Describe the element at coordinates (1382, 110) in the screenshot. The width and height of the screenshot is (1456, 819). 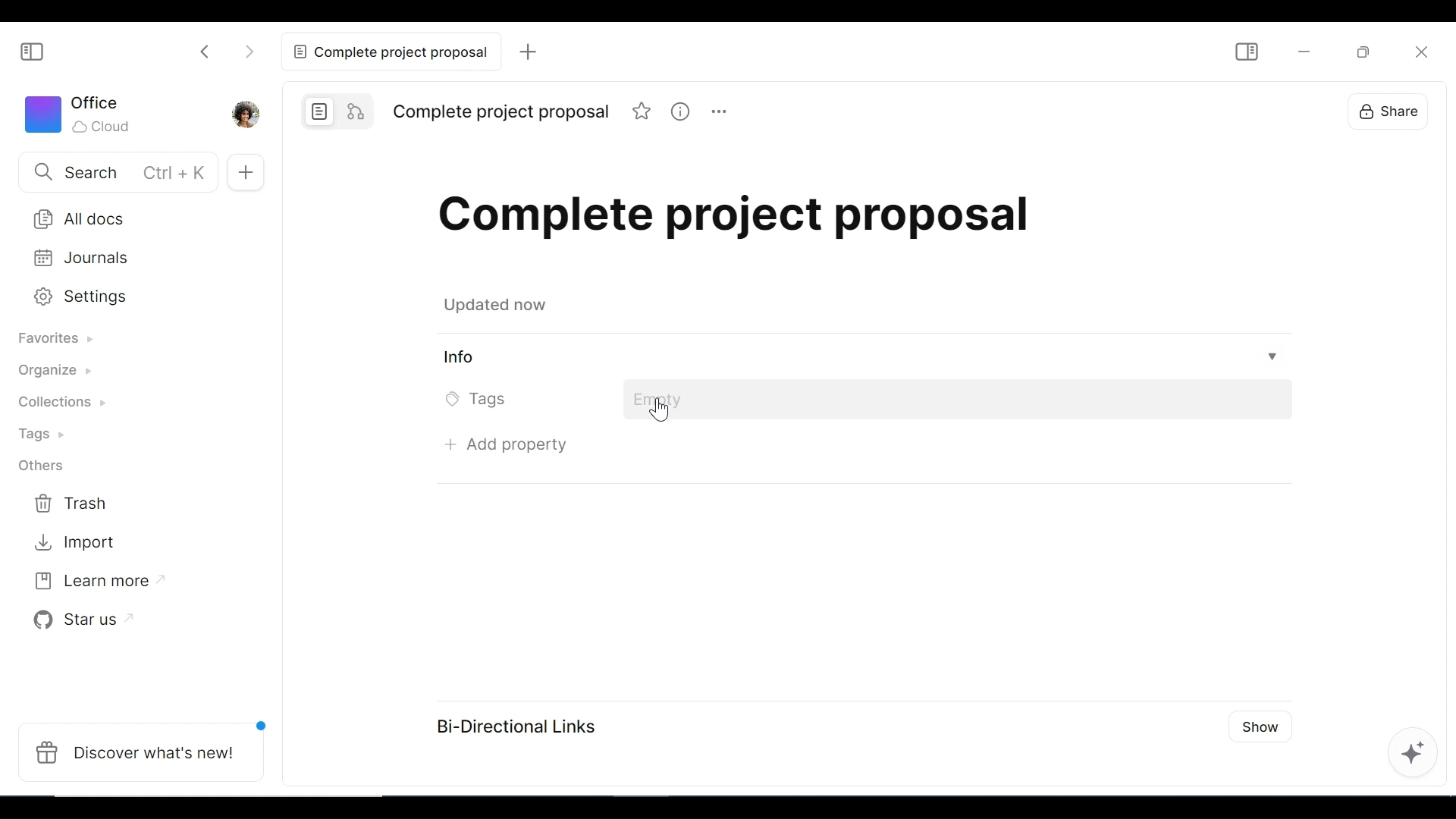
I see `Share` at that location.